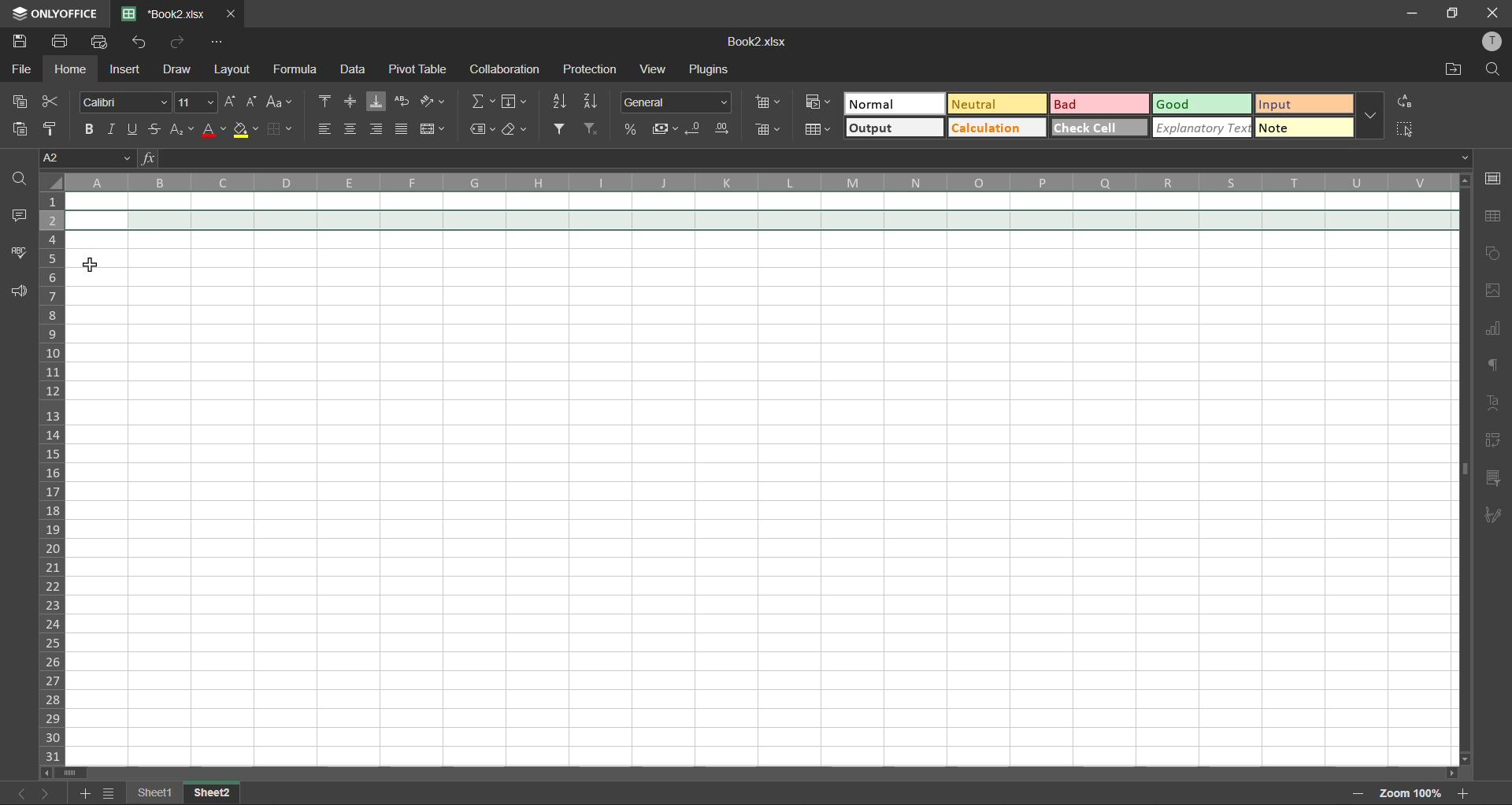 The width and height of the screenshot is (1512, 805). I want to click on data, so click(353, 69).